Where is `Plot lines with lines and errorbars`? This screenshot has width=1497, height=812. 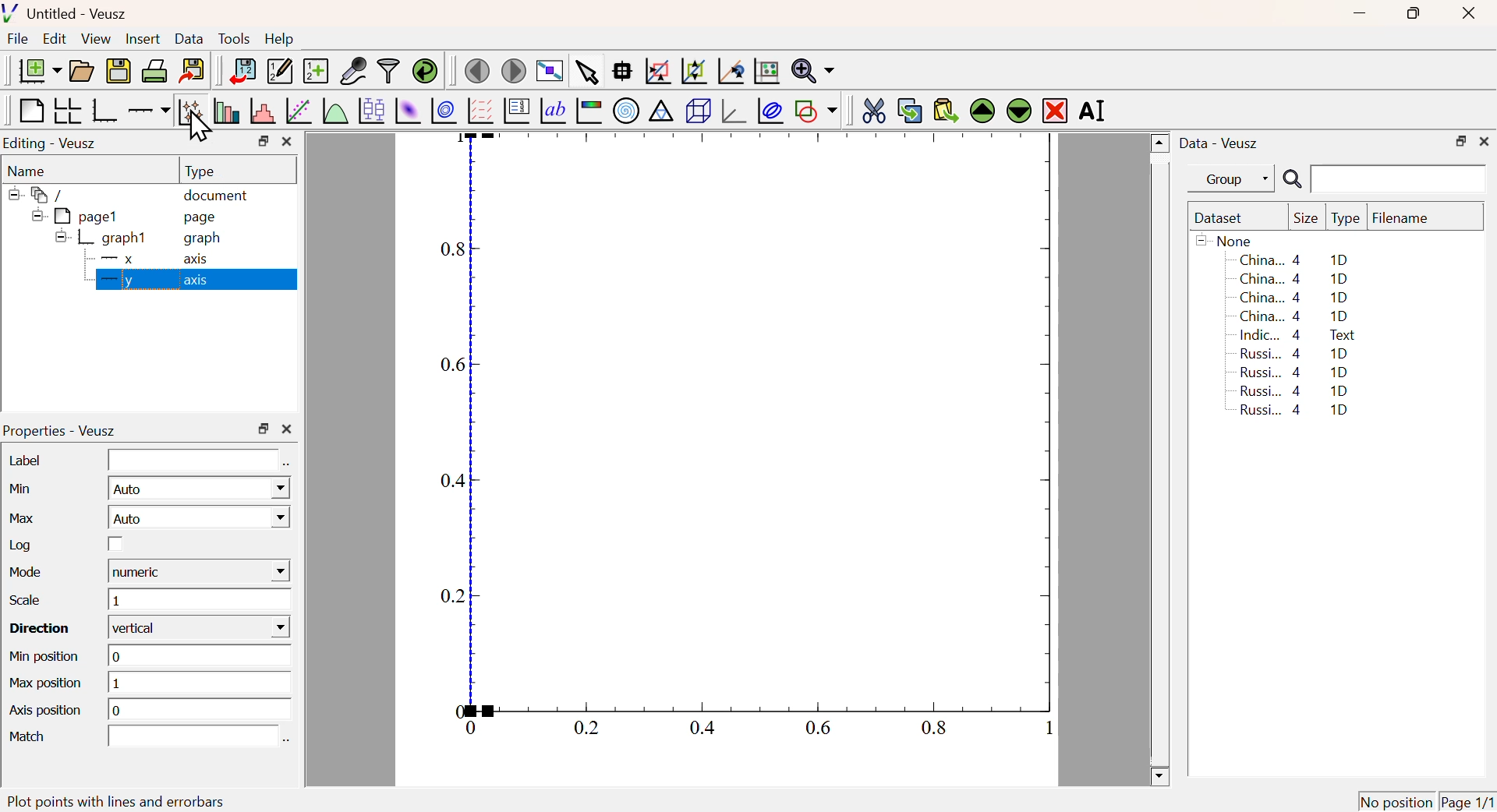 Plot lines with lines and errorbars is located at coordinates (141, 800).